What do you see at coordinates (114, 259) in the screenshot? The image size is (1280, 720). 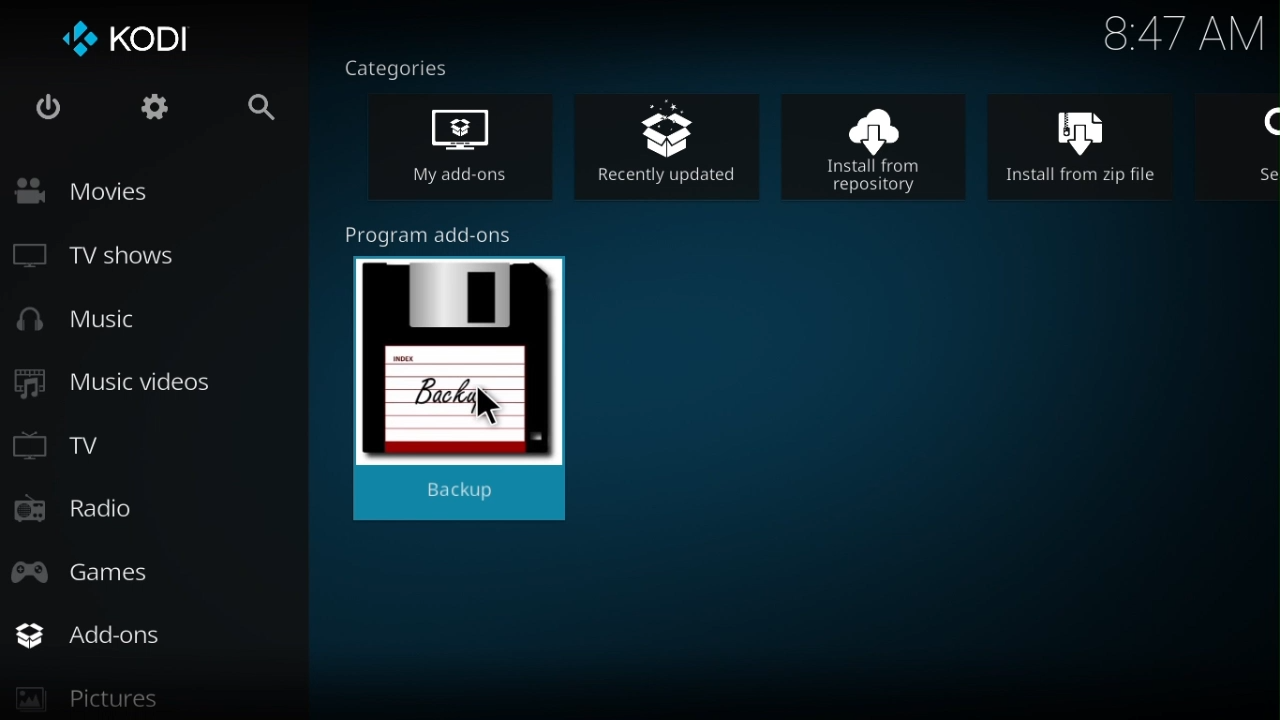 I see `TV shows` at bounding box center [114, 259].